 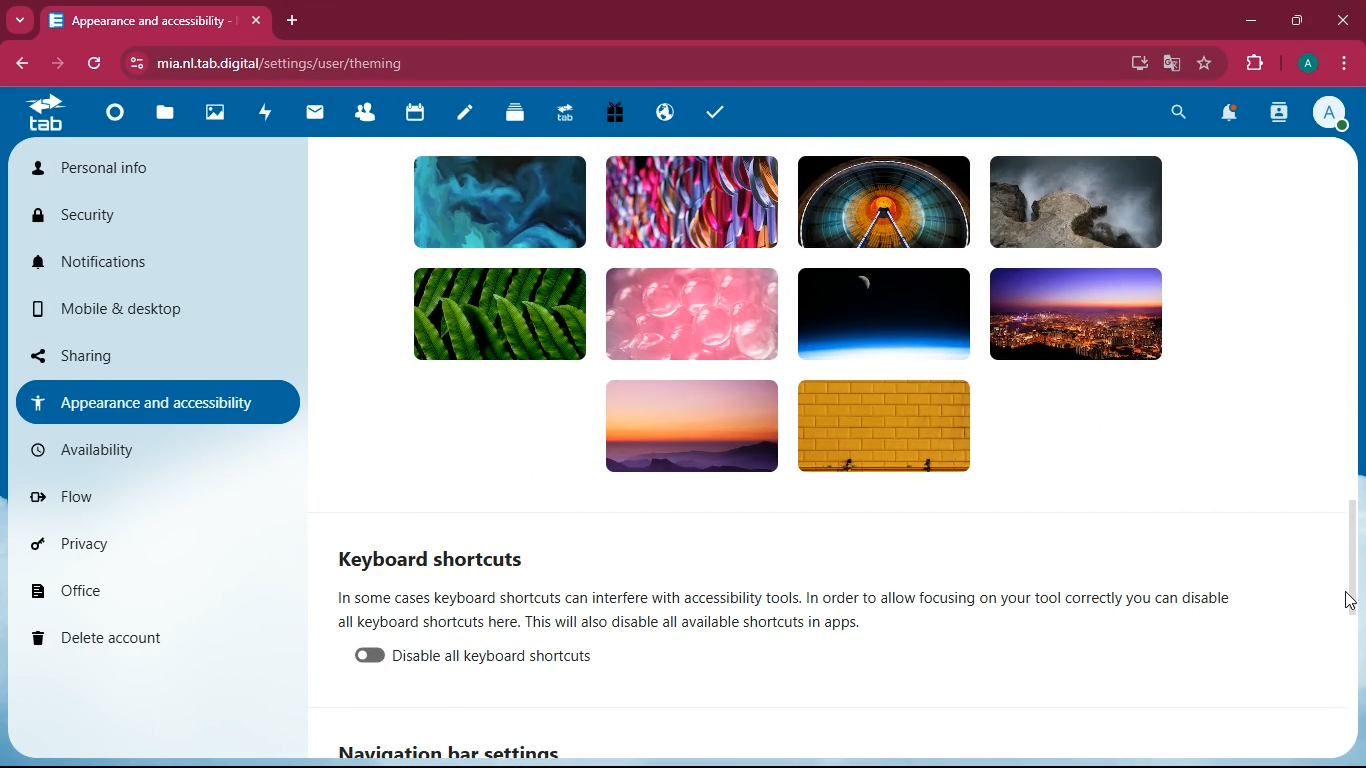 What do you see at coordinates (161, 641) in the screenshot?
I see `delete` at bounding box center [161, 641].